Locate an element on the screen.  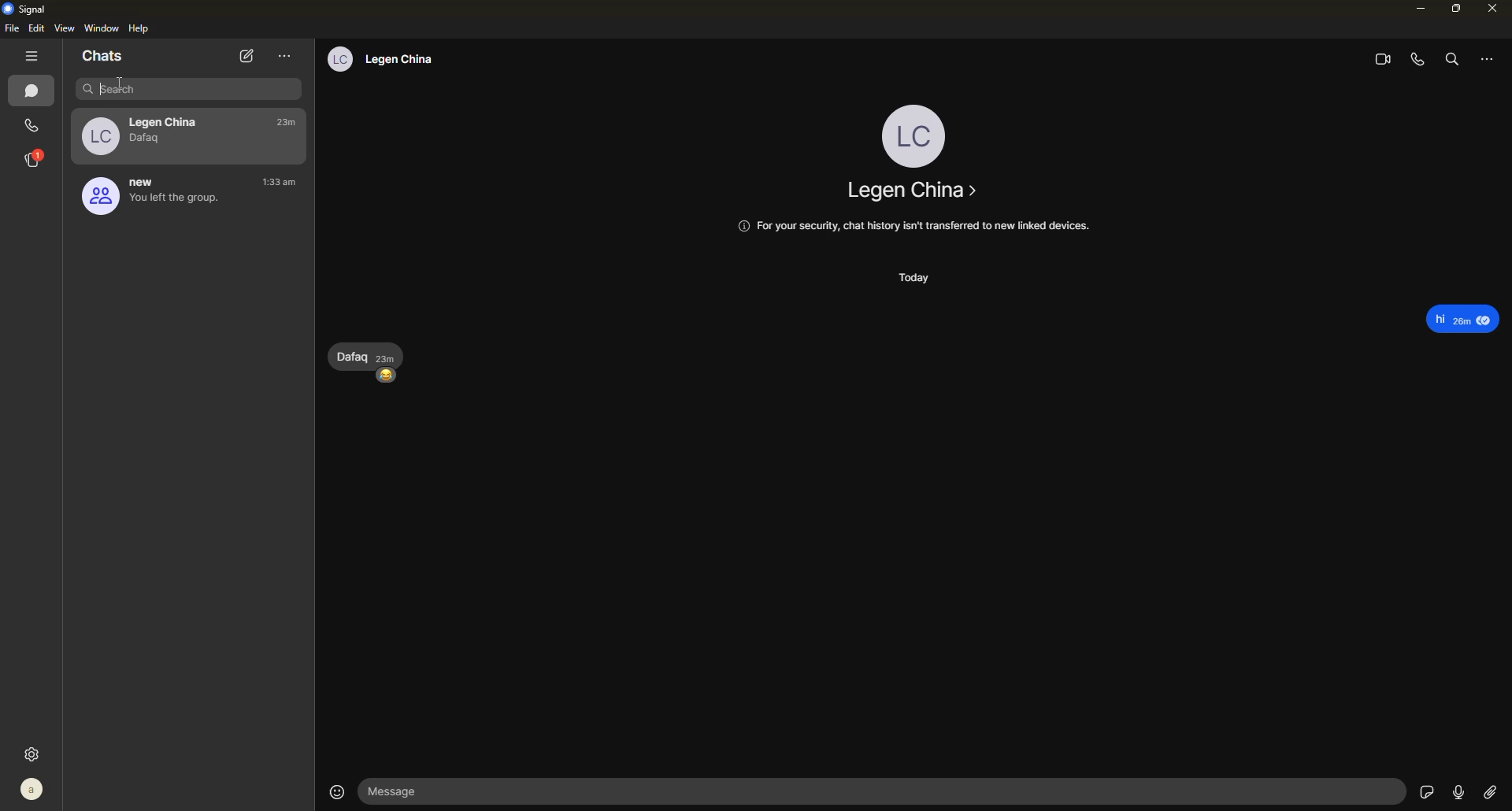
time- 23m is located at coordinates (291, 124).